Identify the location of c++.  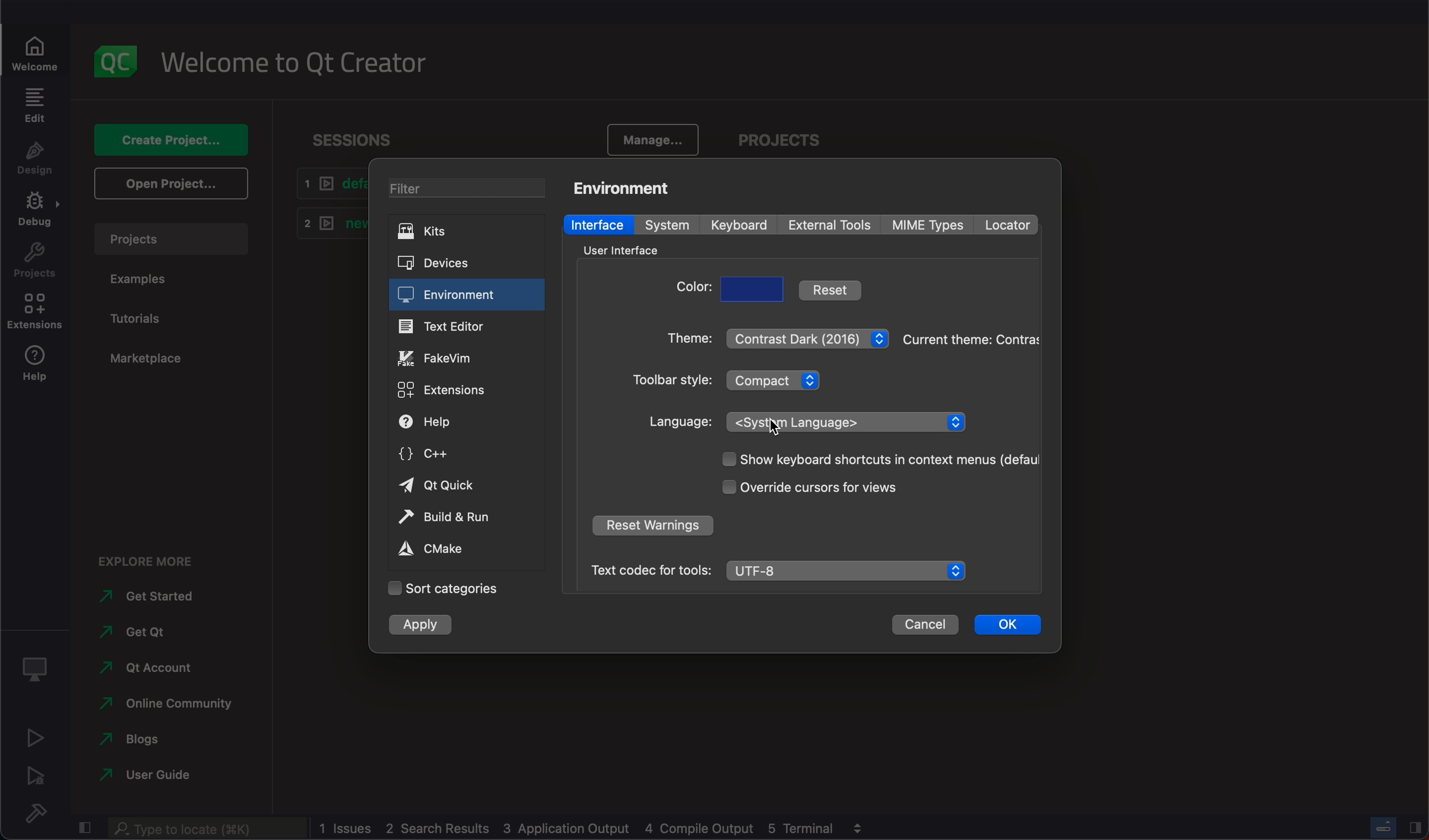
(467, 455).